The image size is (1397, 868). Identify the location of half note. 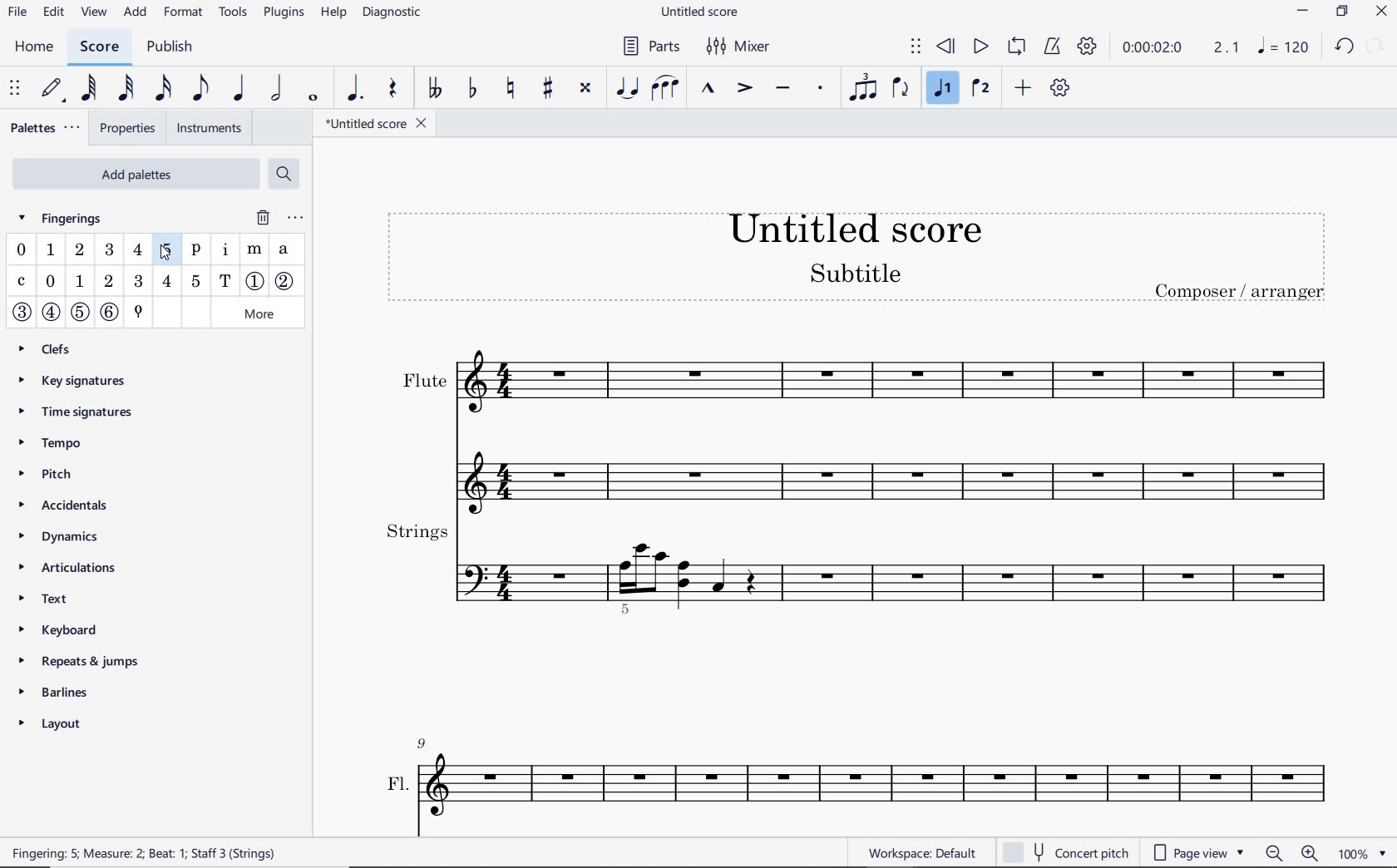
(278, 88).